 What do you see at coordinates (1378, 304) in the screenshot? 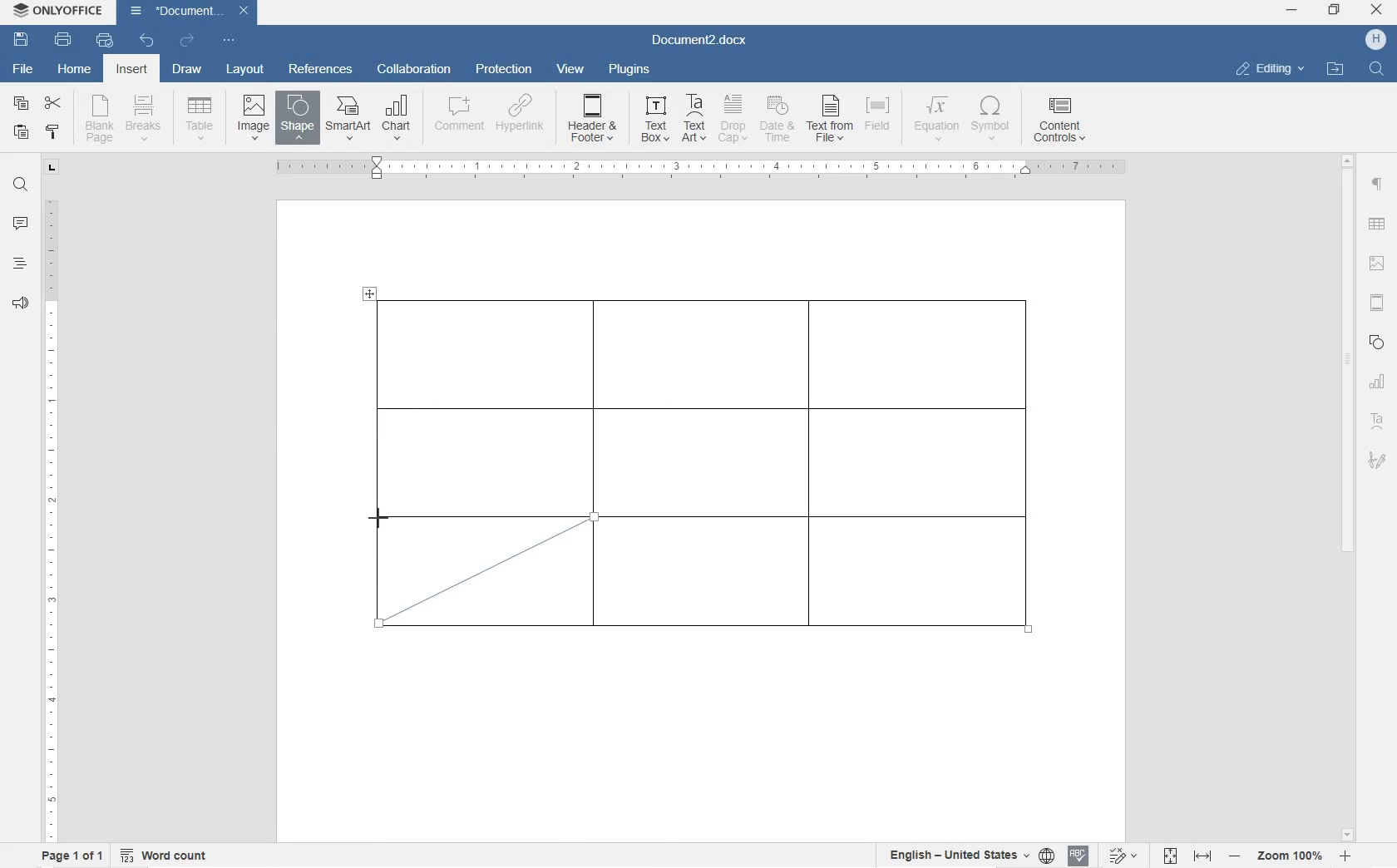
I see `headers & footers` at bounding box center [1378, 304].